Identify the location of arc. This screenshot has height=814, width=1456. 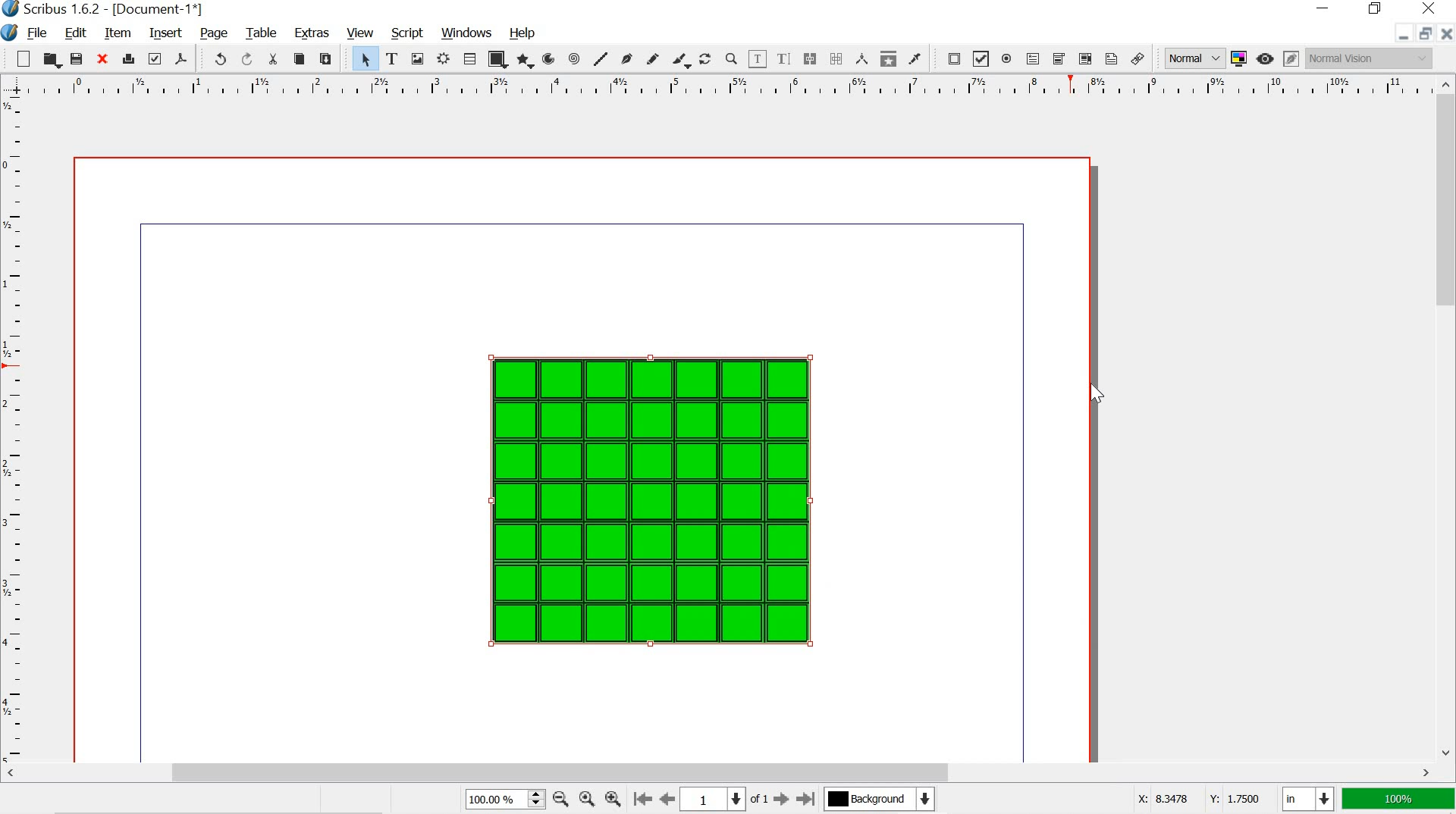
(547, 58).